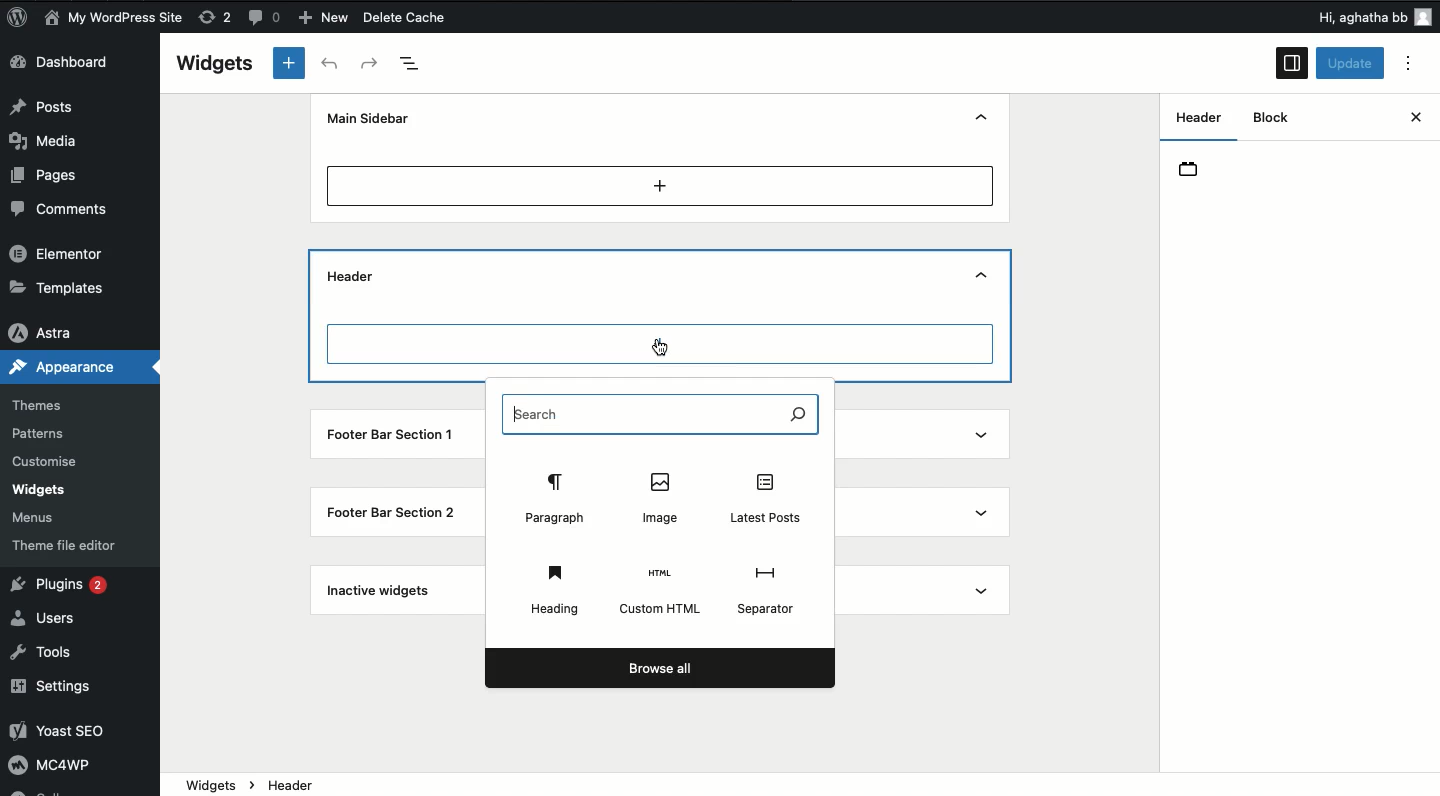 Image resolution: width=1440 pixels, height=796 pixels. I want to click on Patterns, so click(44, 434).